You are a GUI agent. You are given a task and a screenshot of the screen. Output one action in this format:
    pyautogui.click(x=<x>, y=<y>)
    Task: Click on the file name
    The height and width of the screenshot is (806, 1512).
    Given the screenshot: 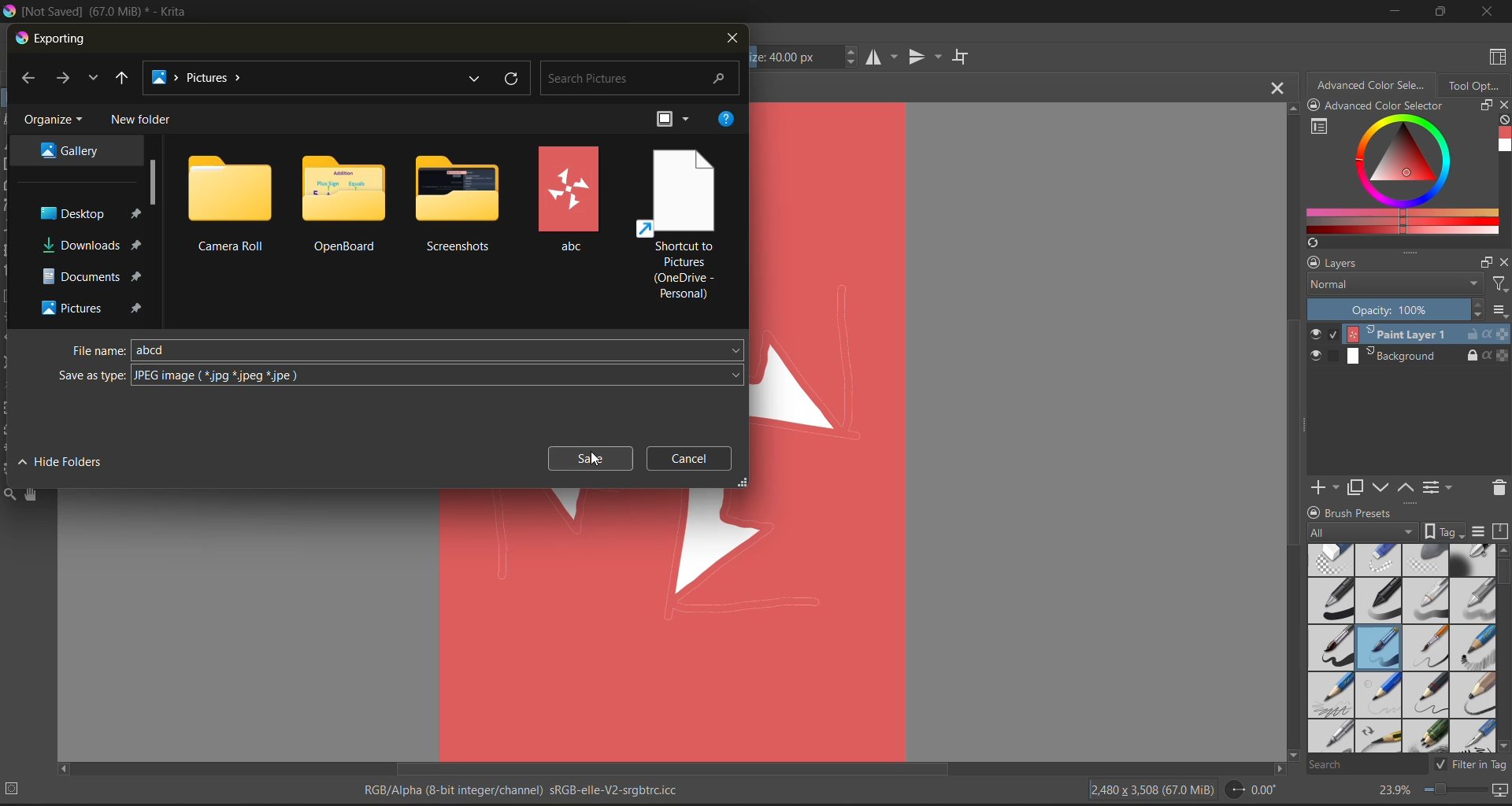 What is the action you would take?
    pyautogui.click(x=435, y=348)
    